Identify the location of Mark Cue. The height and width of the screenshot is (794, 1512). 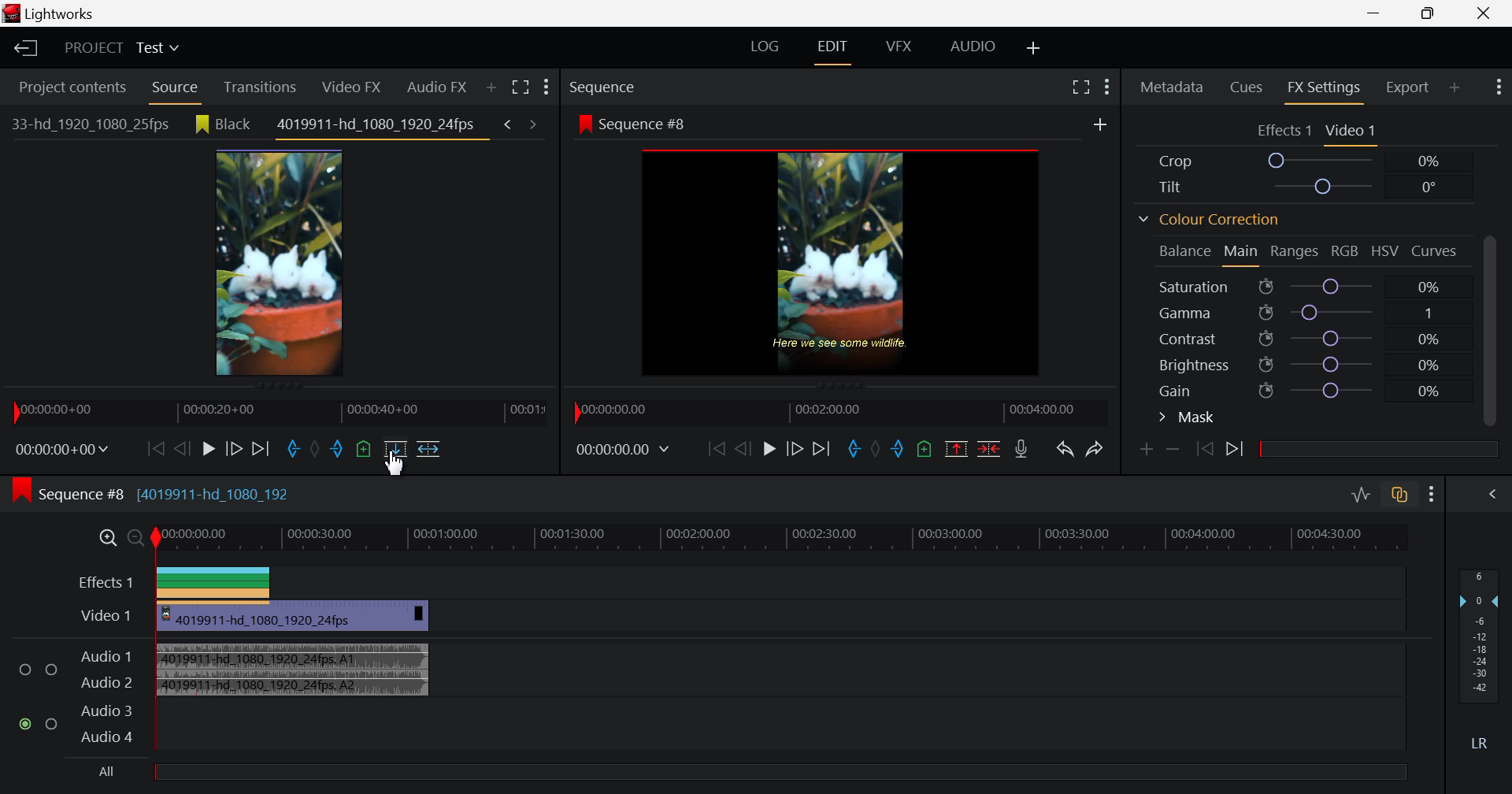
(927, 450).